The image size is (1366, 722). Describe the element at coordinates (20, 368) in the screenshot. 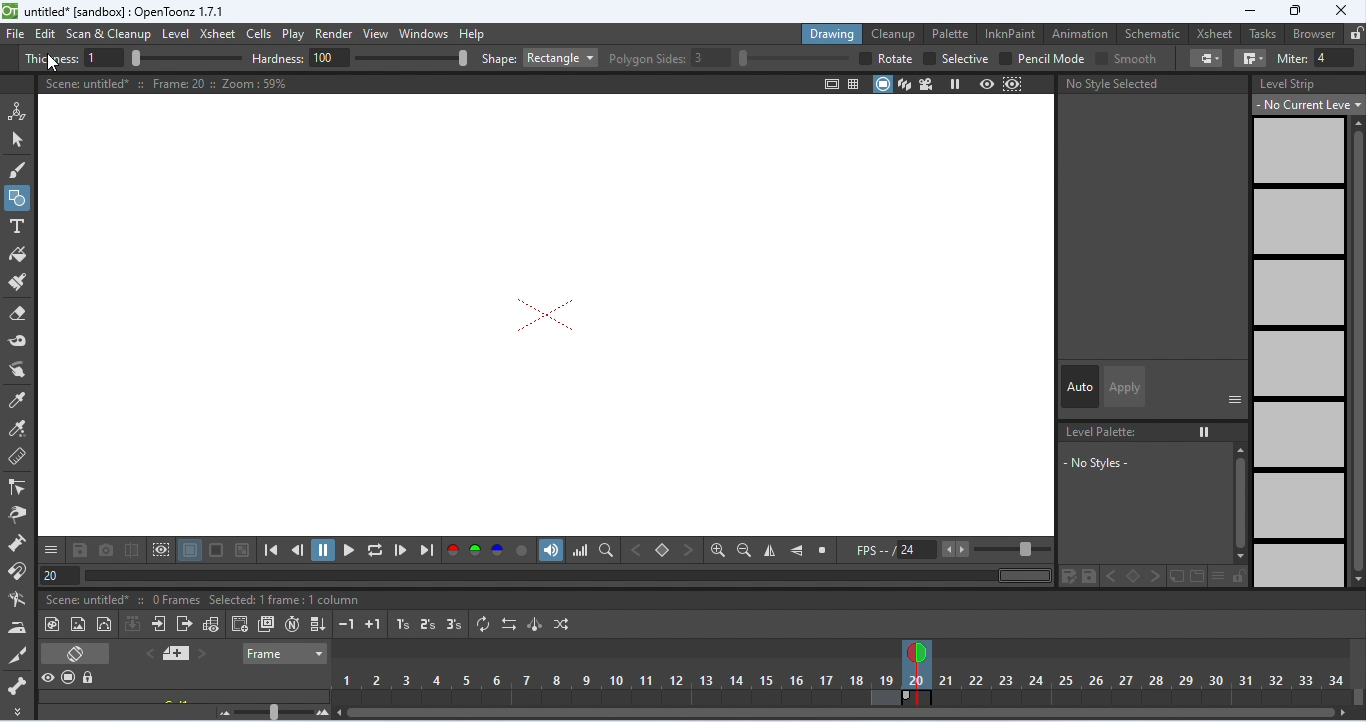

I see `finger` at that location.